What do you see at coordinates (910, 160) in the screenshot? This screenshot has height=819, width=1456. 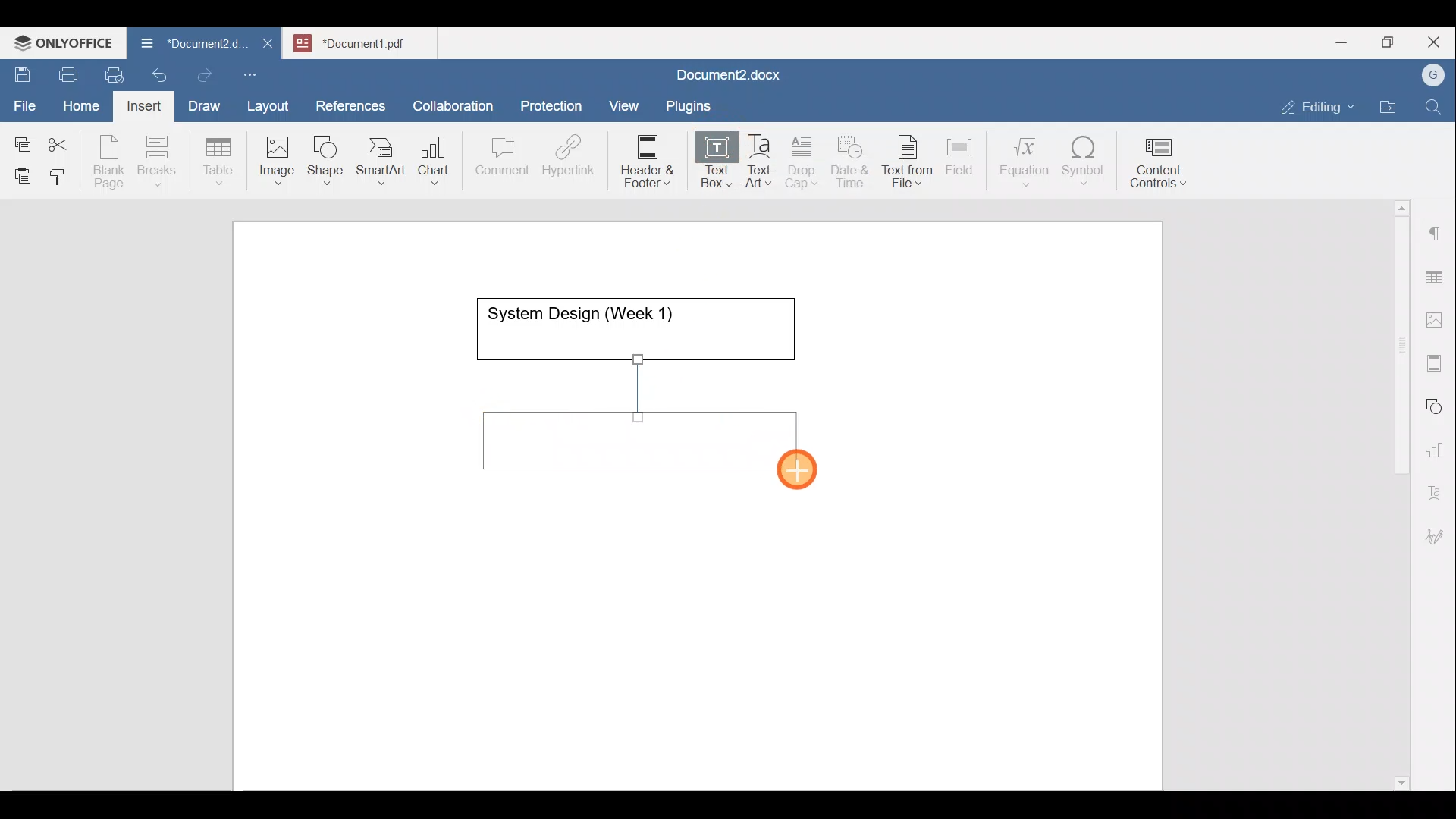 I see `Text from file` at bounding box center [910, 160].